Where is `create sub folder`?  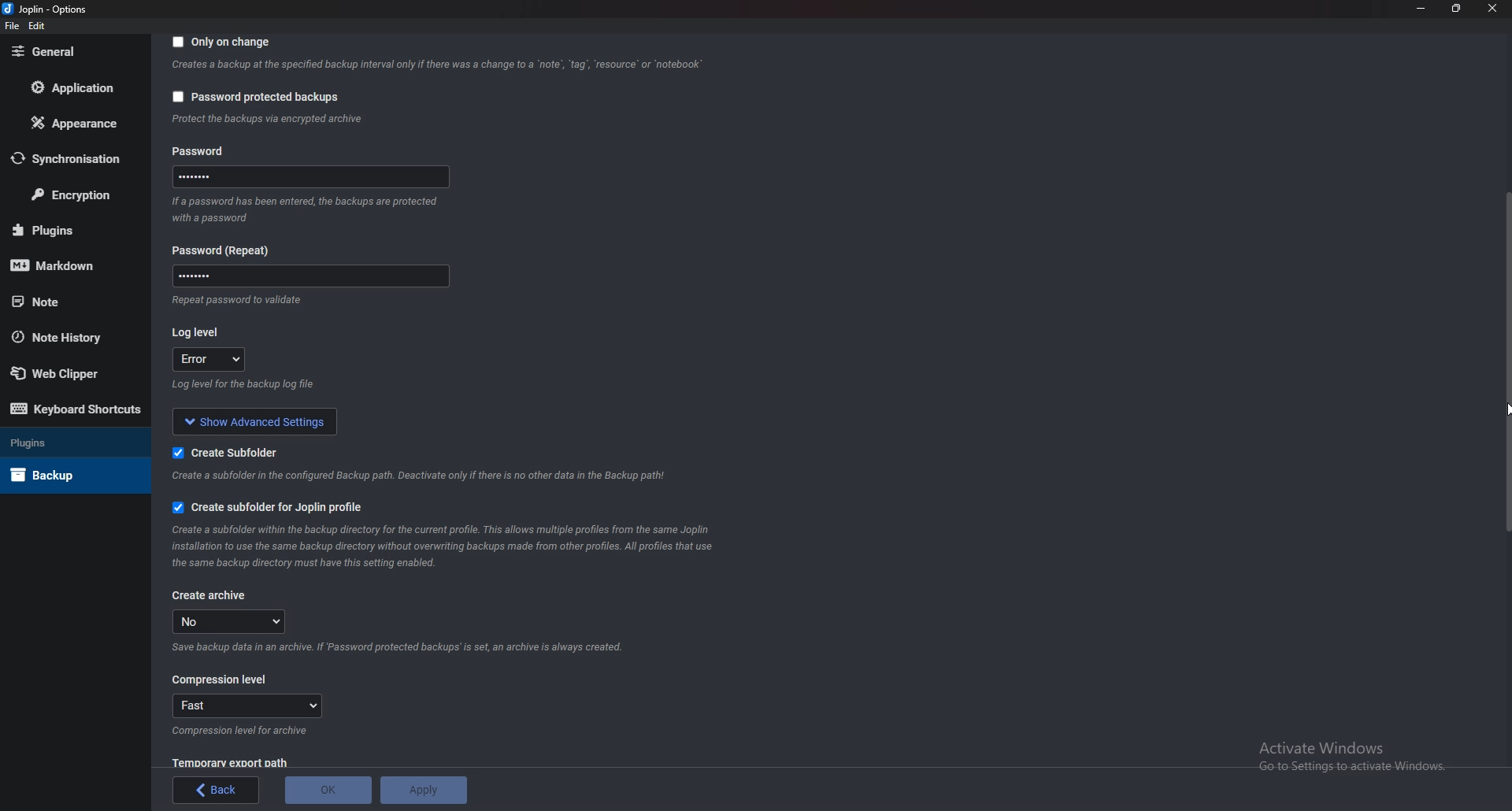 create sub folder is located at coordinates (220, 453).